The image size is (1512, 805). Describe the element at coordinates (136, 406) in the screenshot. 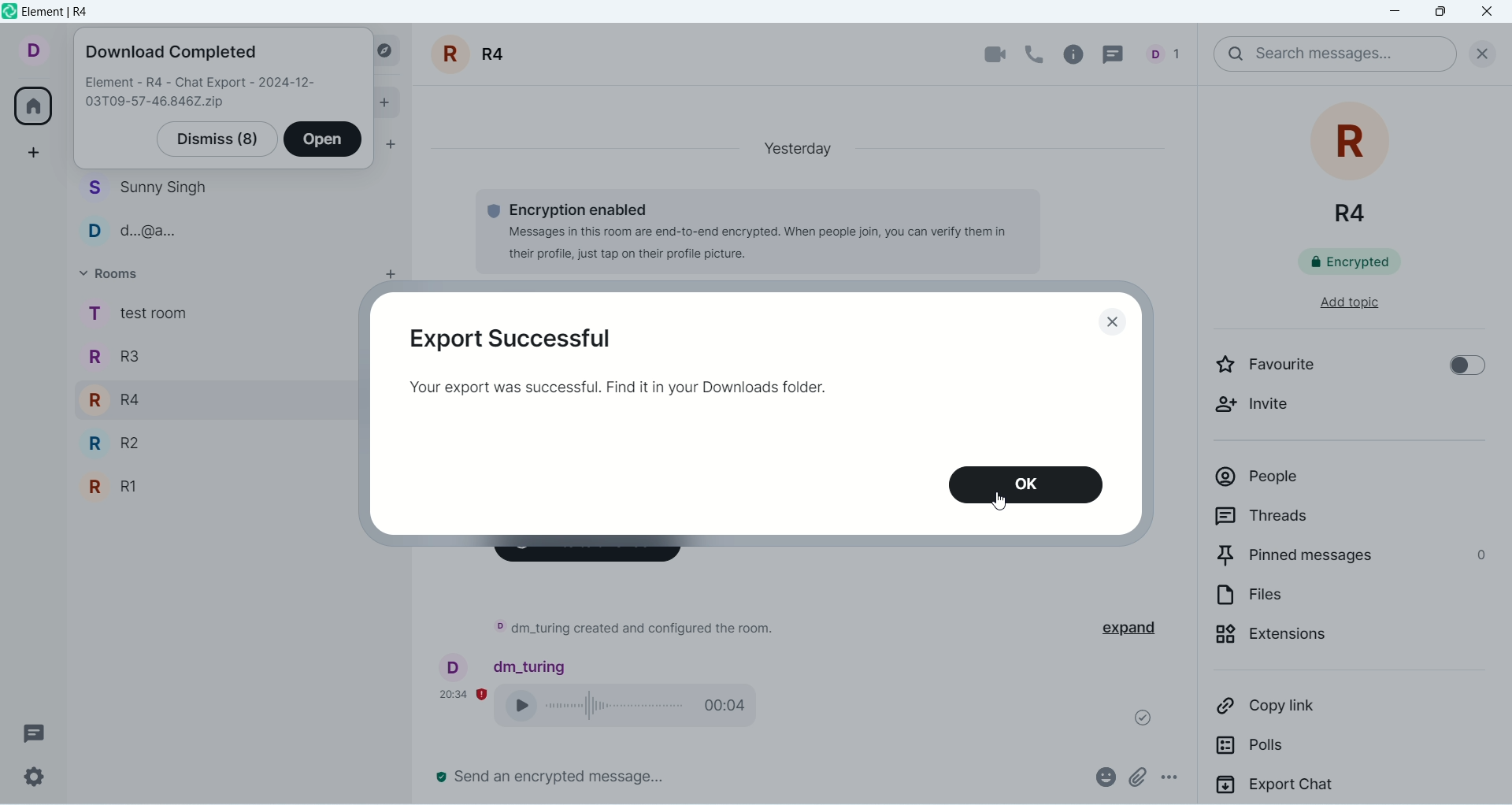

I see `rooms` at that location.